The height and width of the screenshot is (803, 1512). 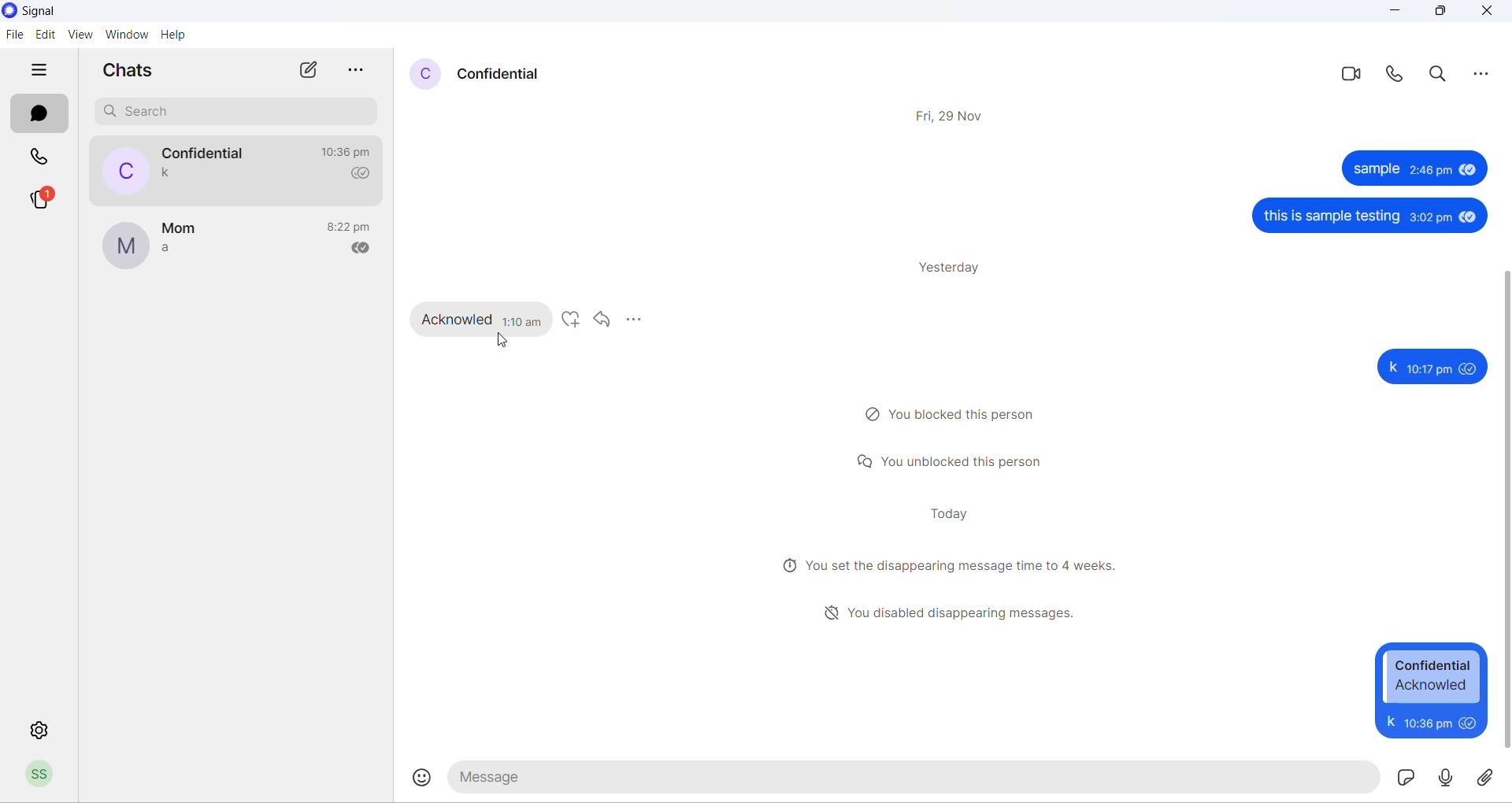 What do you see at coordinates (1332, 218) in the screenshot?
I see `this is sample testing` at bounding box center [1332, 218].